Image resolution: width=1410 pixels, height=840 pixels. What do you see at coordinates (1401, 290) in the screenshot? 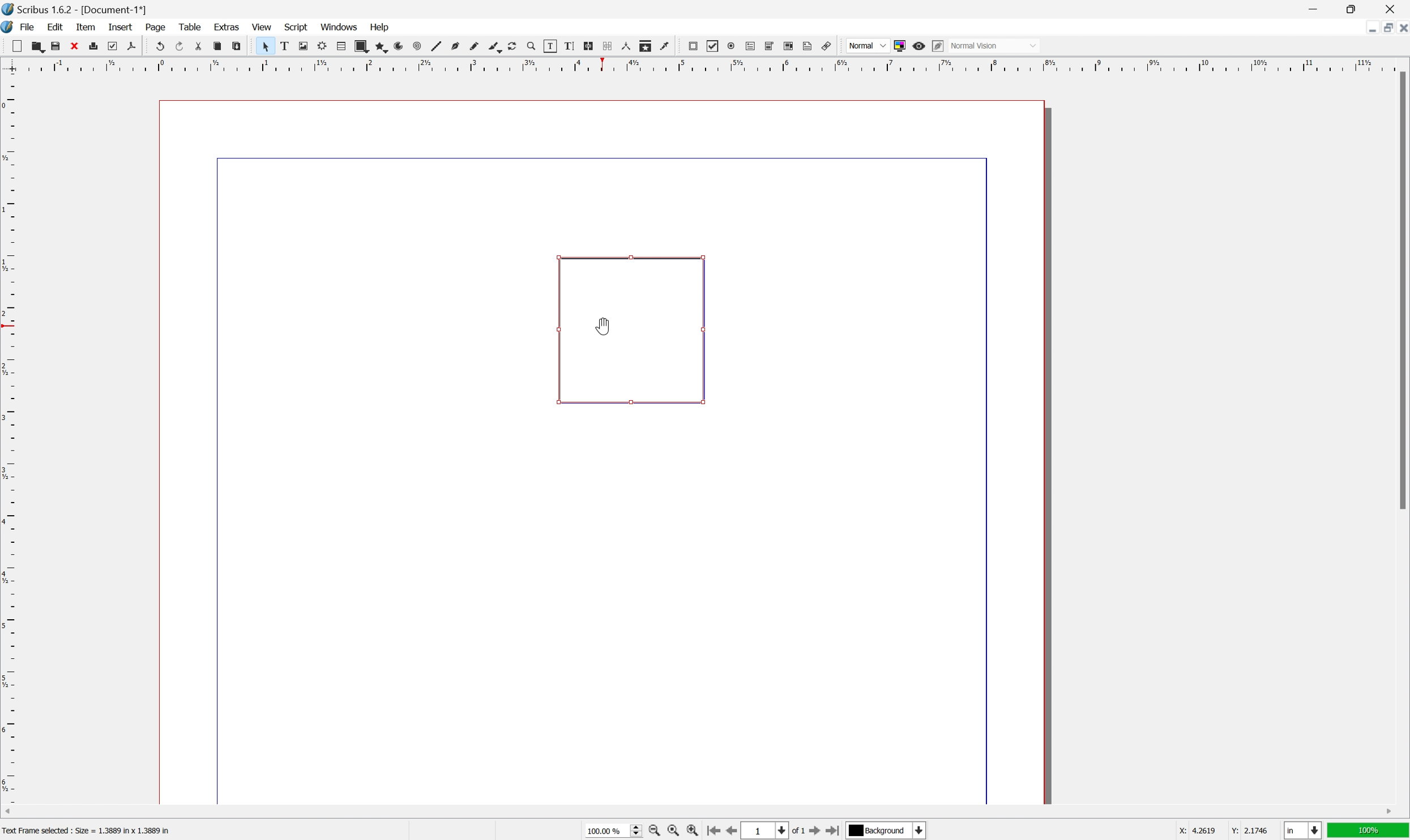
I see `scroll bar` at bounding box center [1401, 290].